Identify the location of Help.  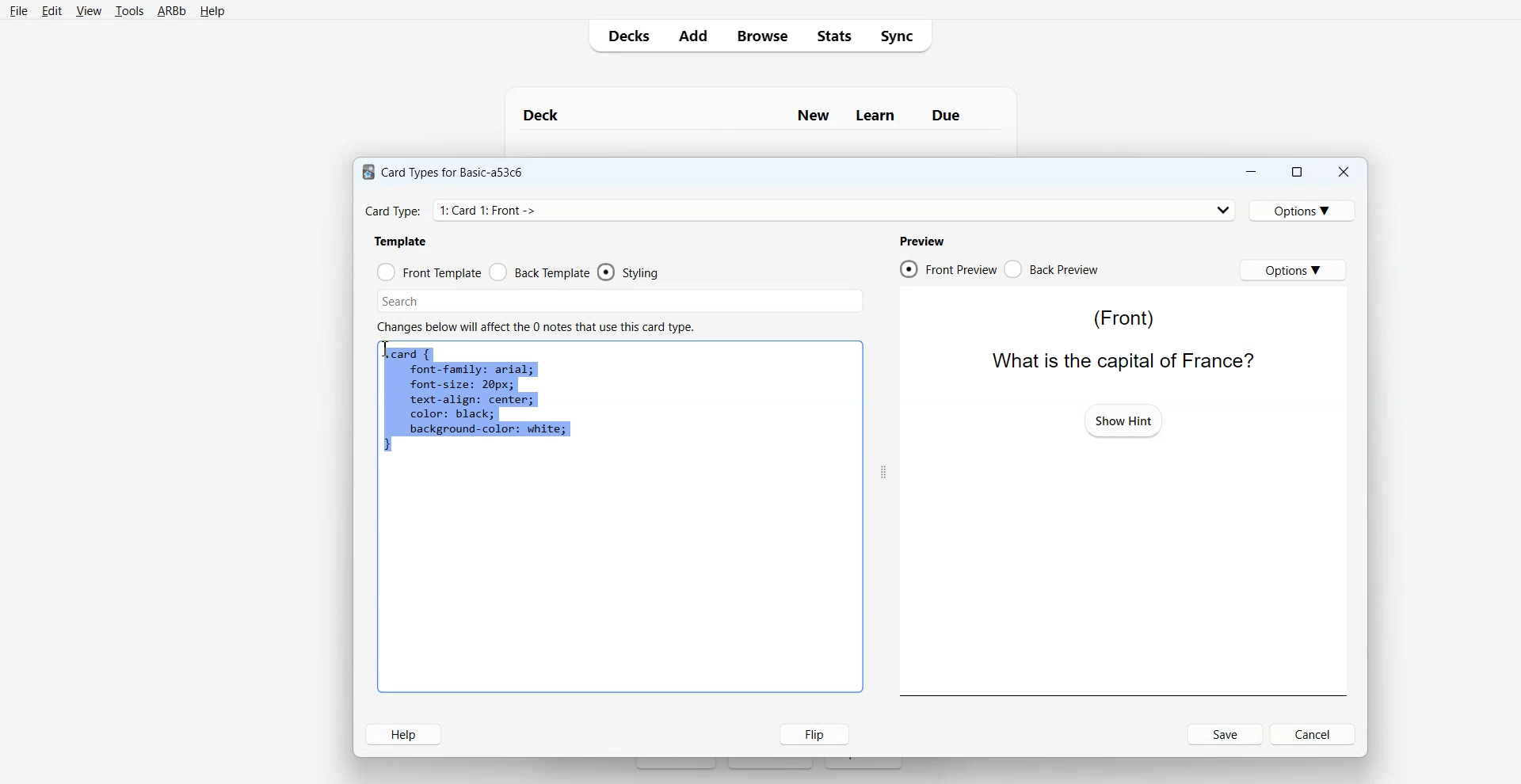
(403, 734).